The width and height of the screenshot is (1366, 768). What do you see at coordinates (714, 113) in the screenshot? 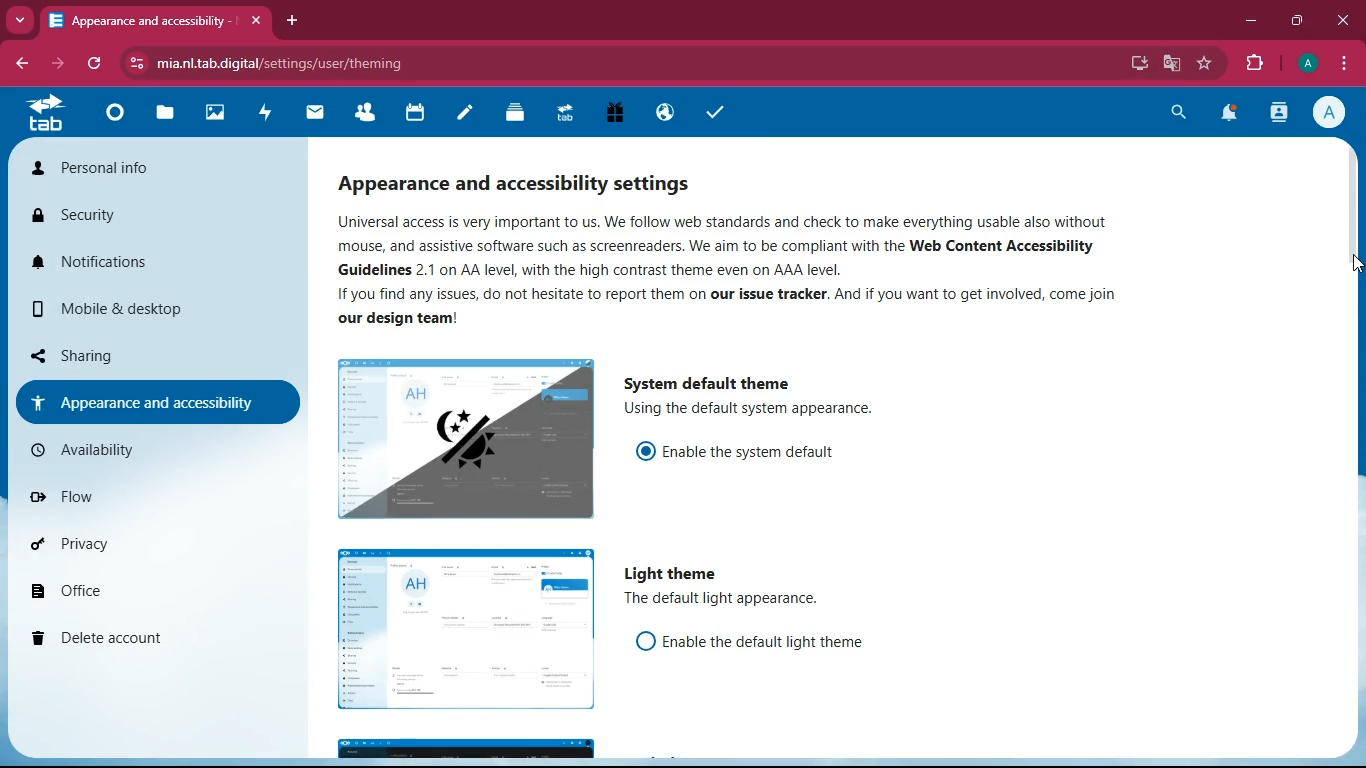
I see `tasks` at bounding box center [714, 113].